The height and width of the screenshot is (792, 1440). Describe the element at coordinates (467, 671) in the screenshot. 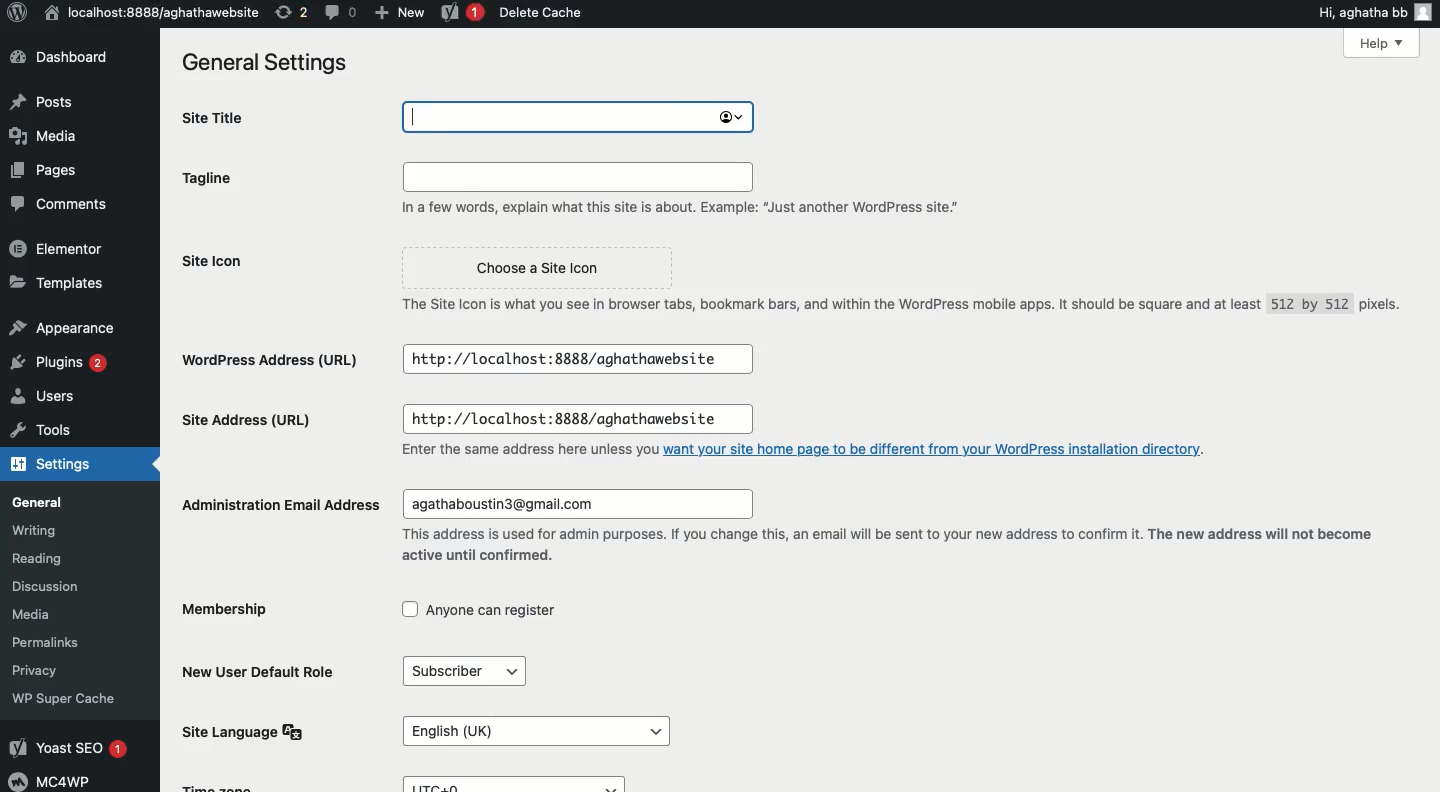

I see `Subscriber` at that location.